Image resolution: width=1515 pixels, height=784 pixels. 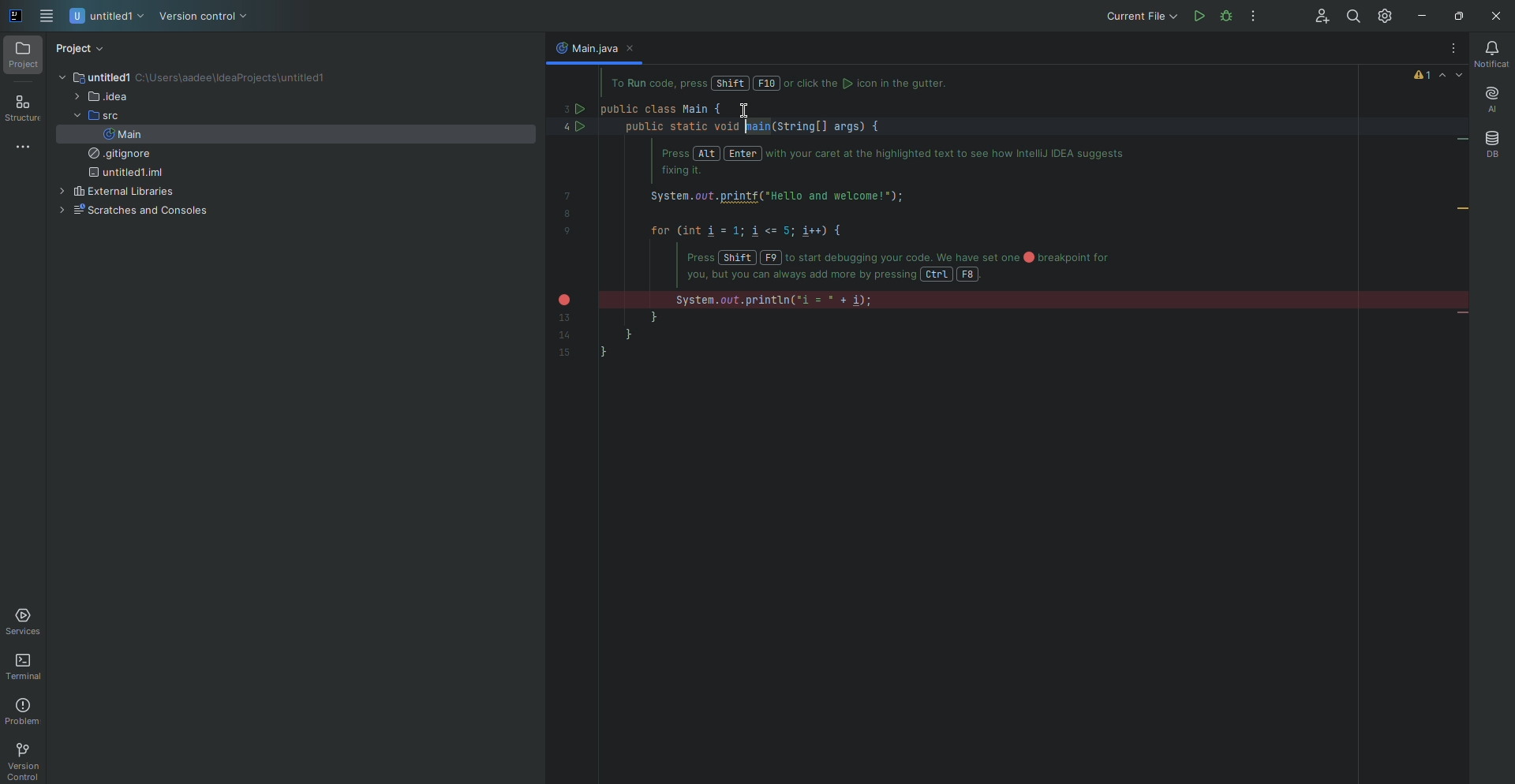 What do you see at coordinates (1449, 49) in the screenshot?
I see `Options` at bounding box center [1449, 49].